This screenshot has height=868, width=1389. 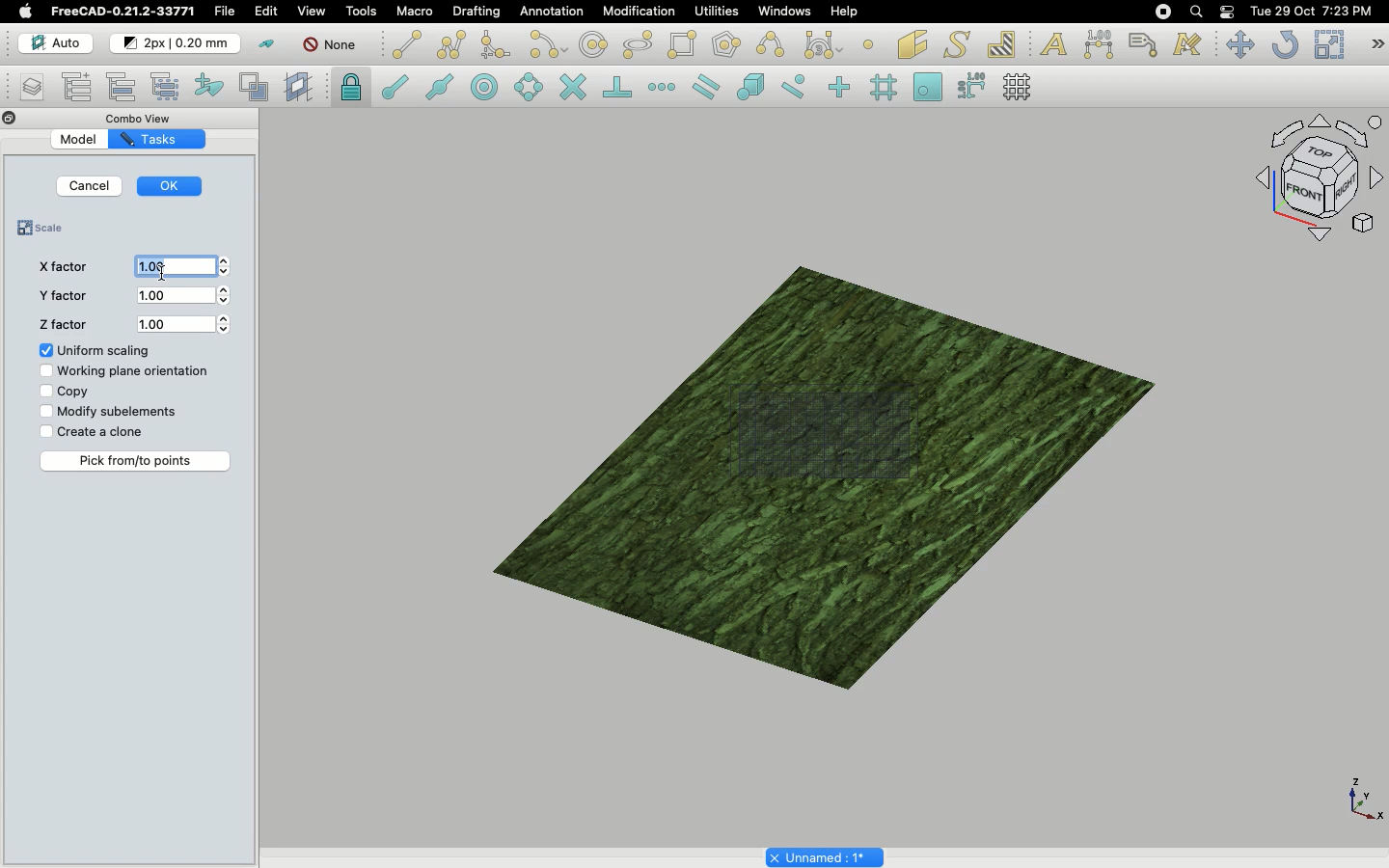 What do you see at coordinates (1195, 12) in the screenshot?
I see `Search` at bounding box center [1195, 12].